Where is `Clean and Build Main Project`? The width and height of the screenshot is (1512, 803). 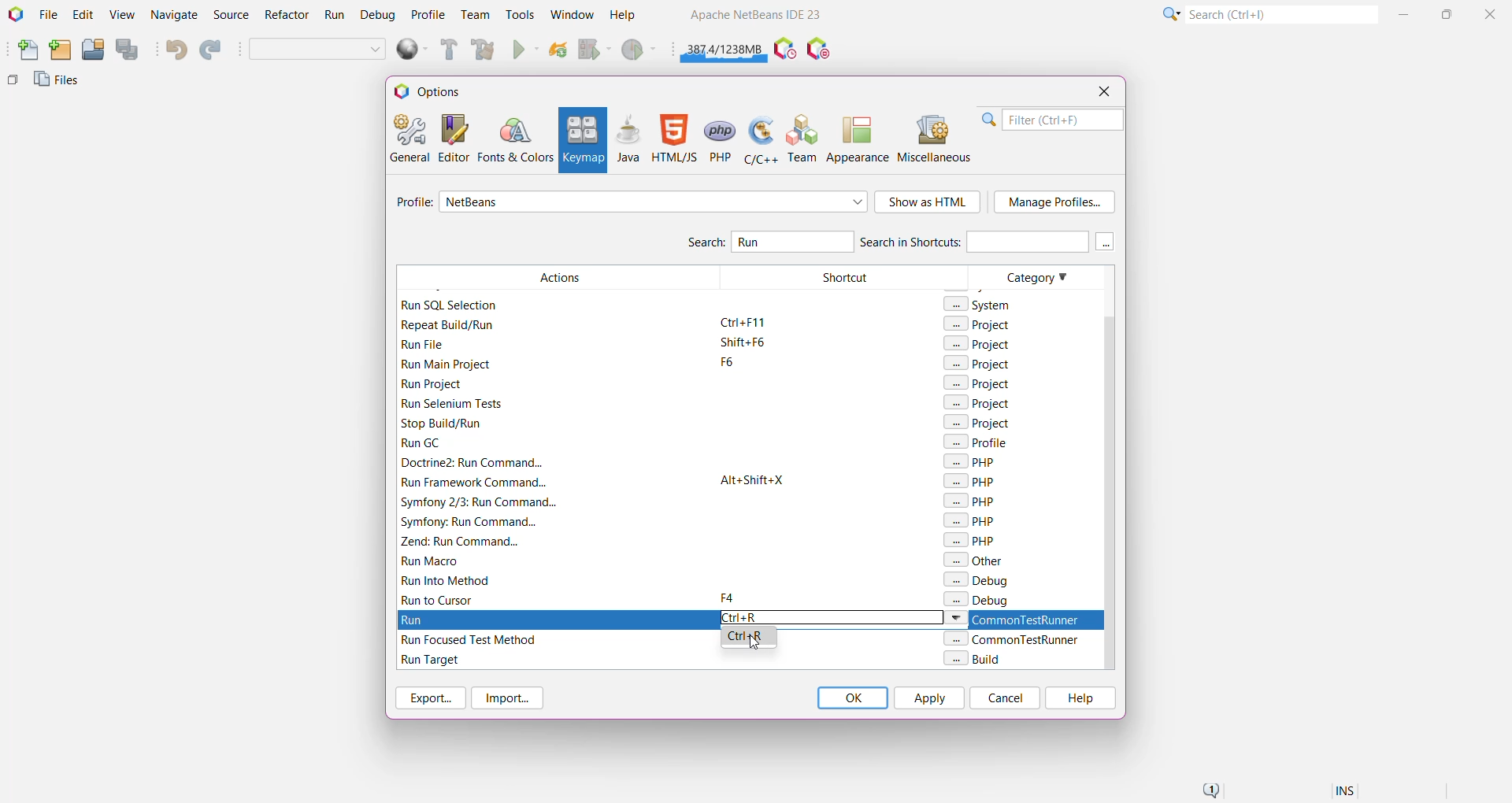
Clean and Build Main Project is located at coordinates (486, 51).